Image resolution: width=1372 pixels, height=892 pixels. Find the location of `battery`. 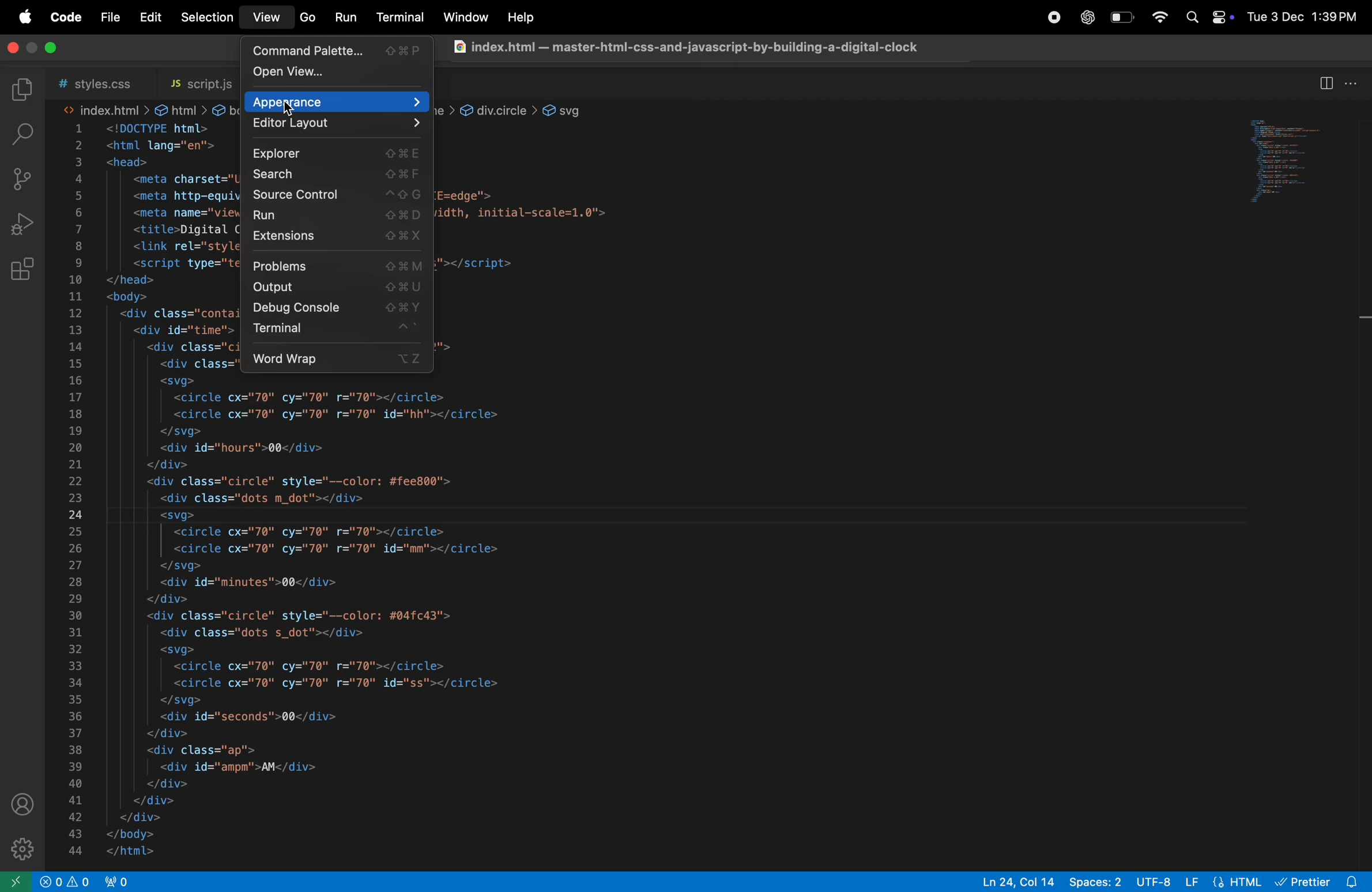

battery is located at coordinates (1123, 19).